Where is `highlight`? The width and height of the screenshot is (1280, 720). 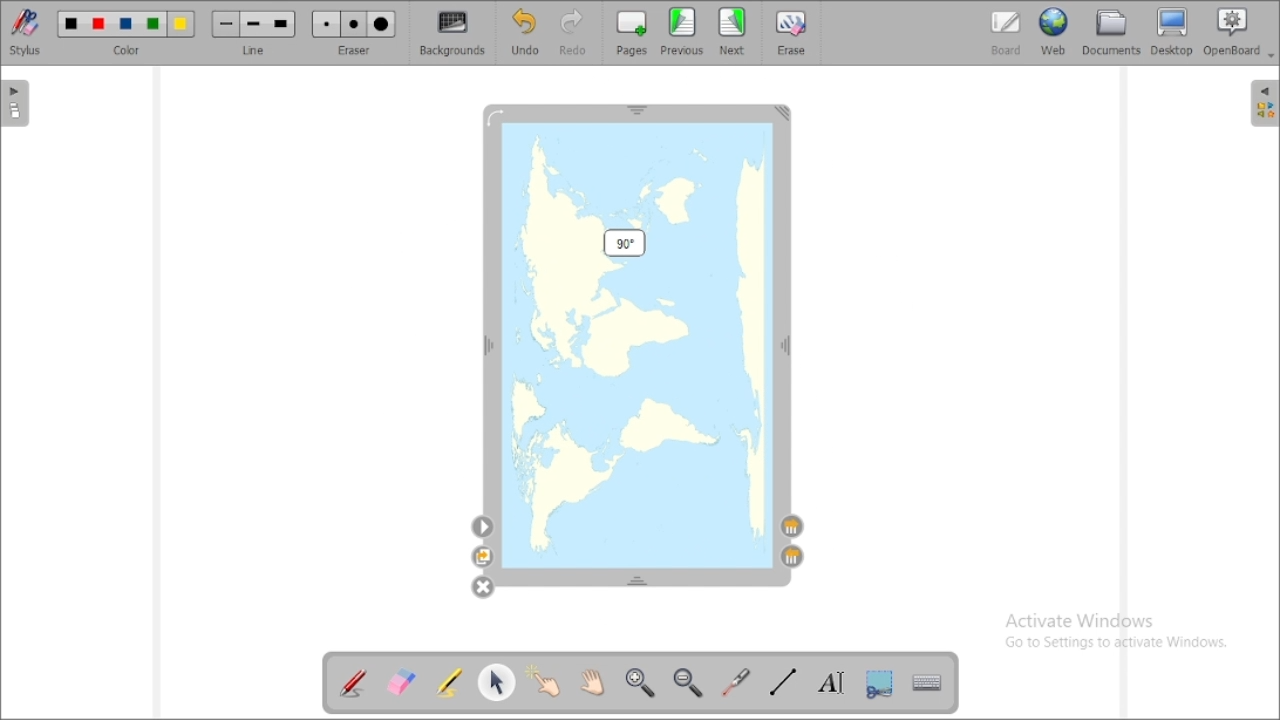
highlight is located at coordinates (448, 682).